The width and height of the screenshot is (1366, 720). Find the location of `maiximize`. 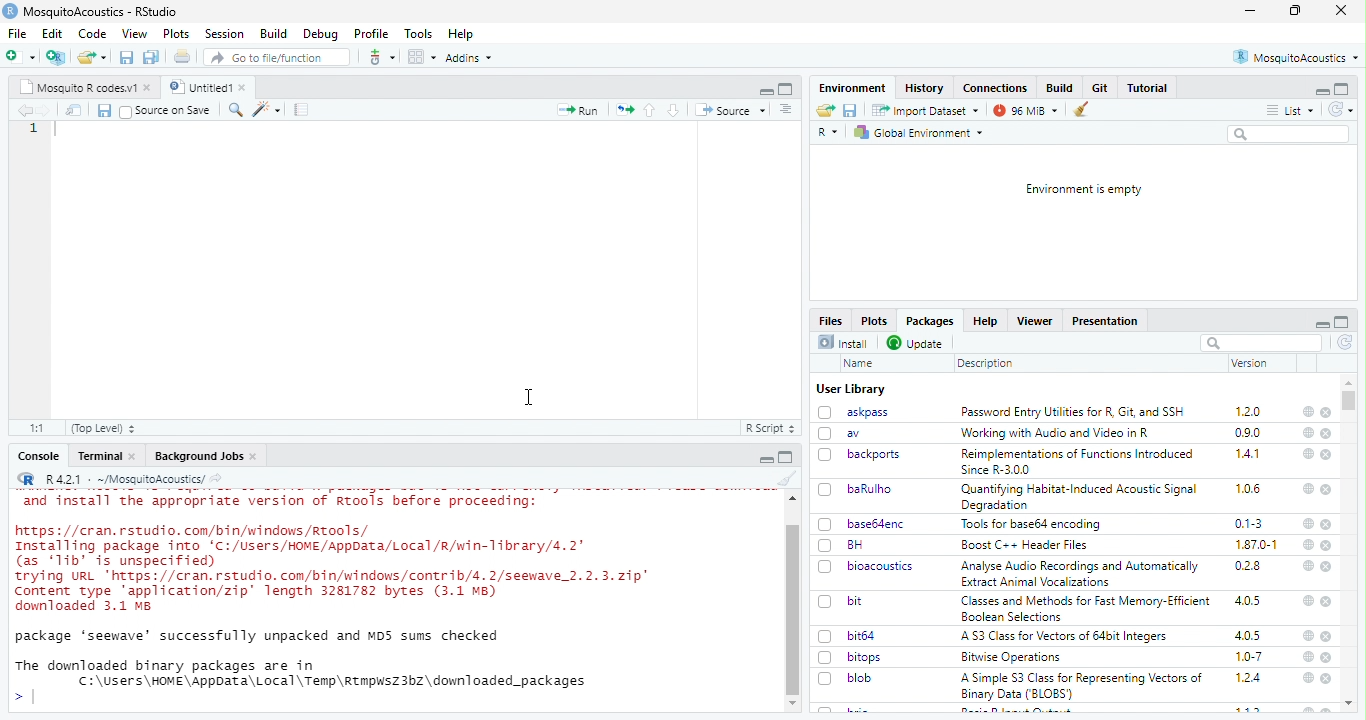

maiximize is located at coordinates (787, 457).